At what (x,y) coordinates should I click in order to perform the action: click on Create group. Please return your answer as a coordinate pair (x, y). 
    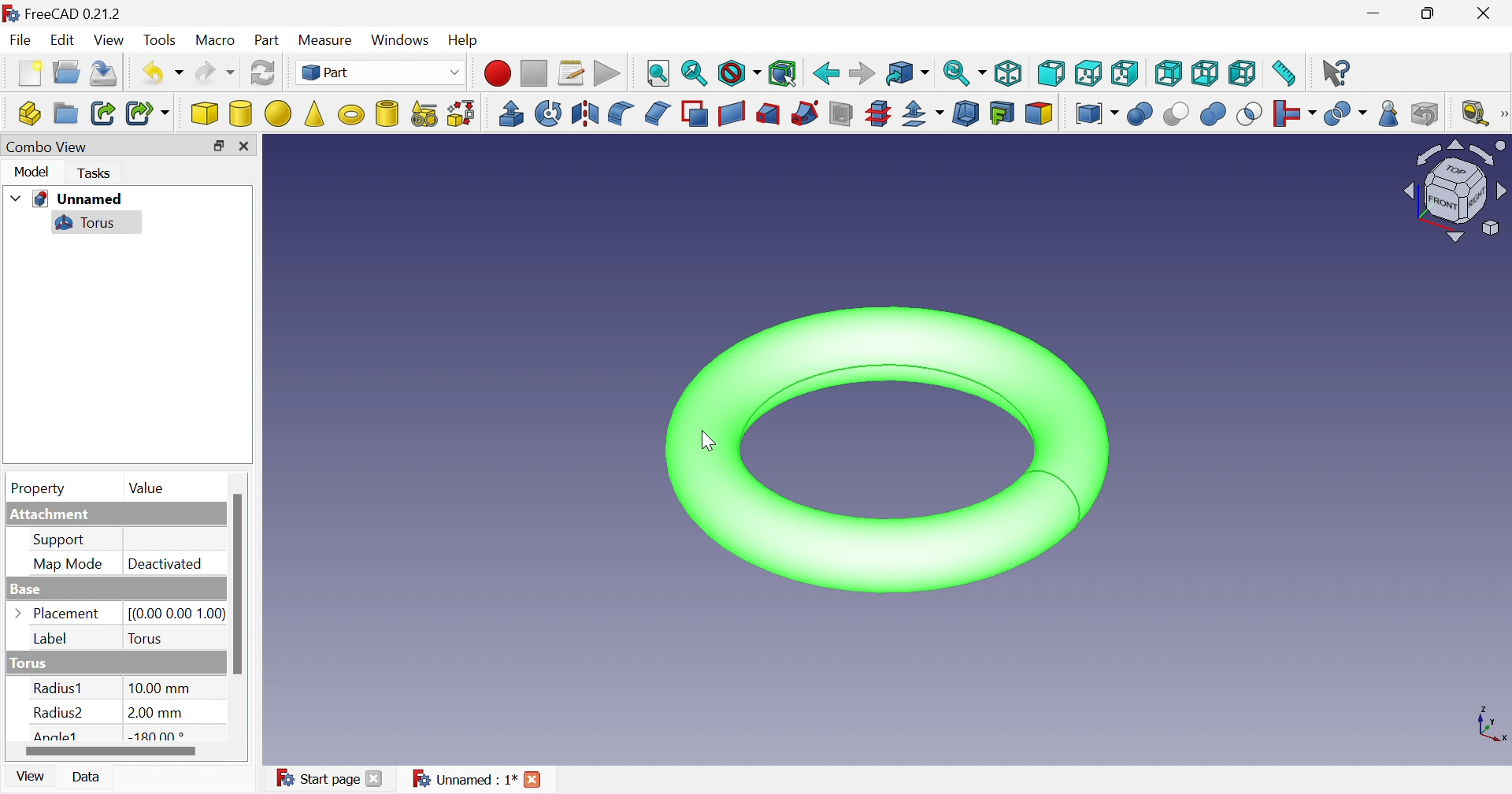
    Looking at the image, I should click on (65, 114).